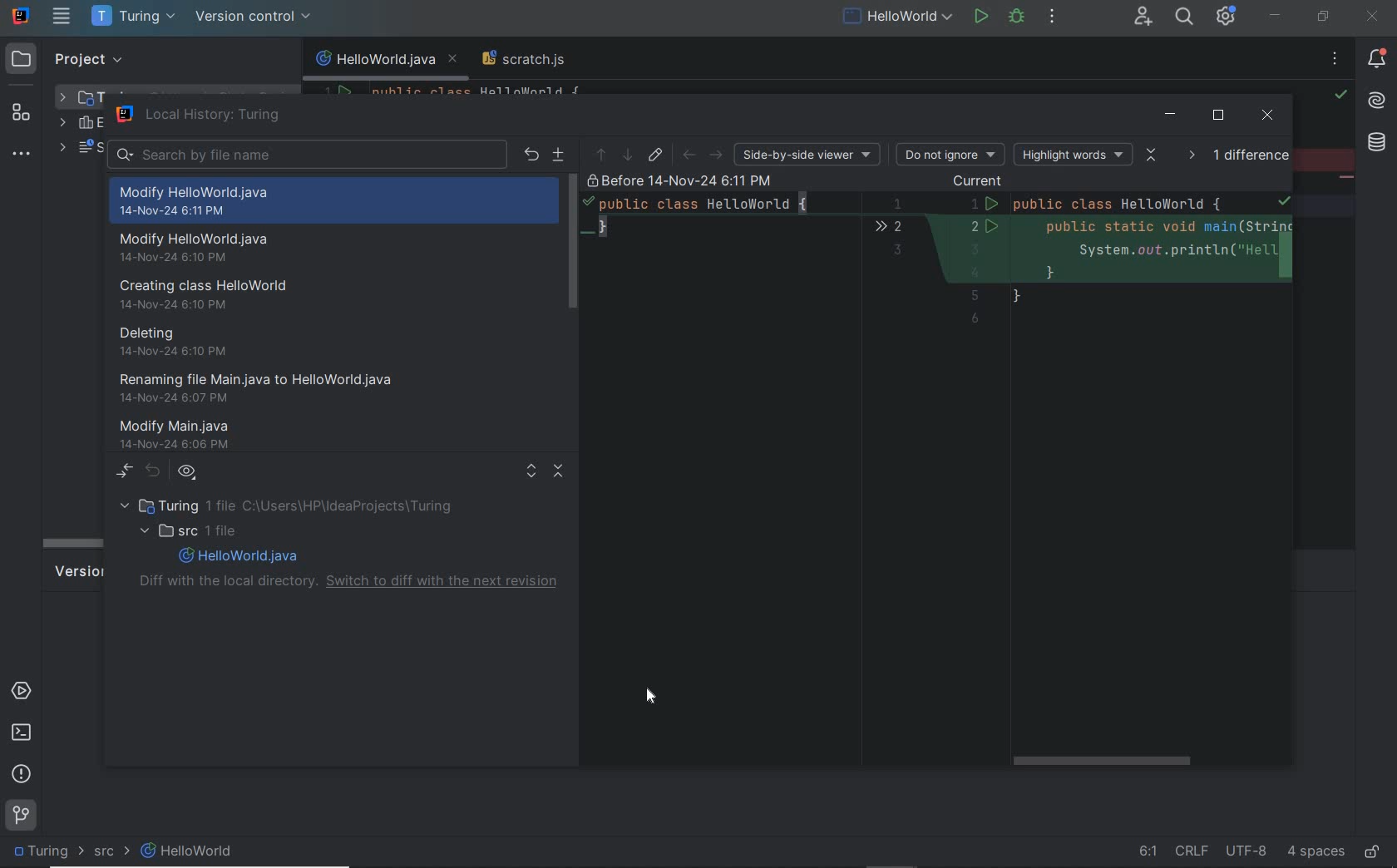  I want to click on no problems found, so click(1335, 61).